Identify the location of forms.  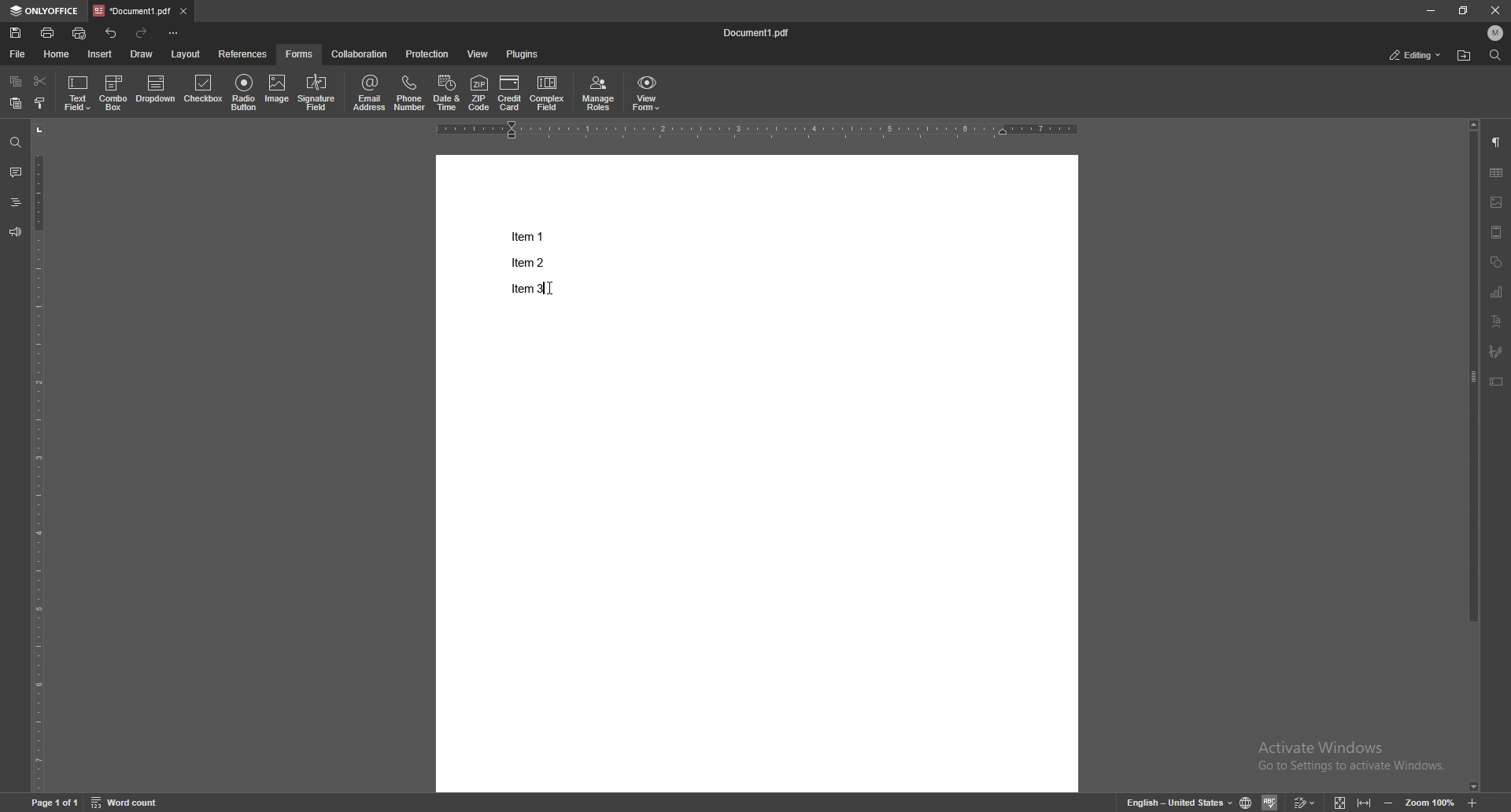
(300, 54).